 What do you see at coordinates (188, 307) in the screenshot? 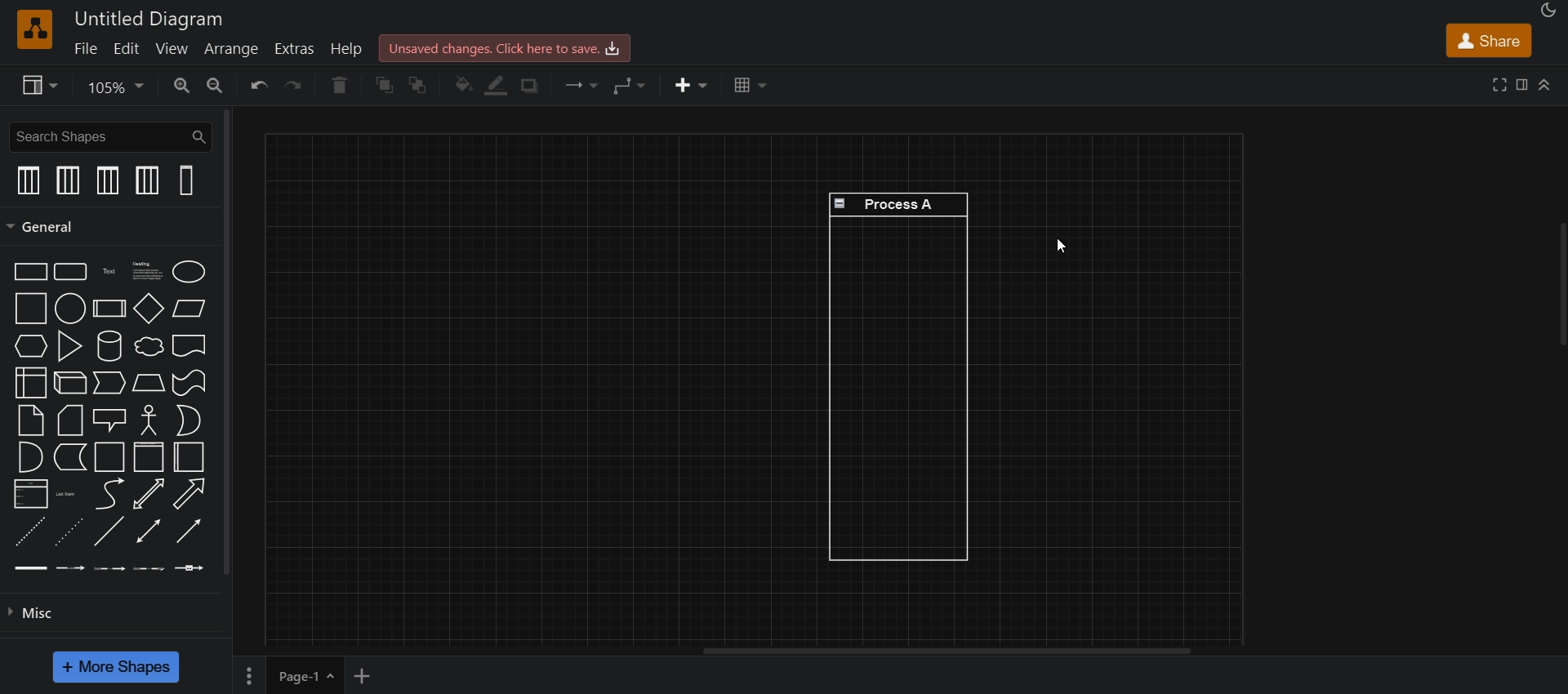
I see `parallelogram` at bounding box center [188, 307].